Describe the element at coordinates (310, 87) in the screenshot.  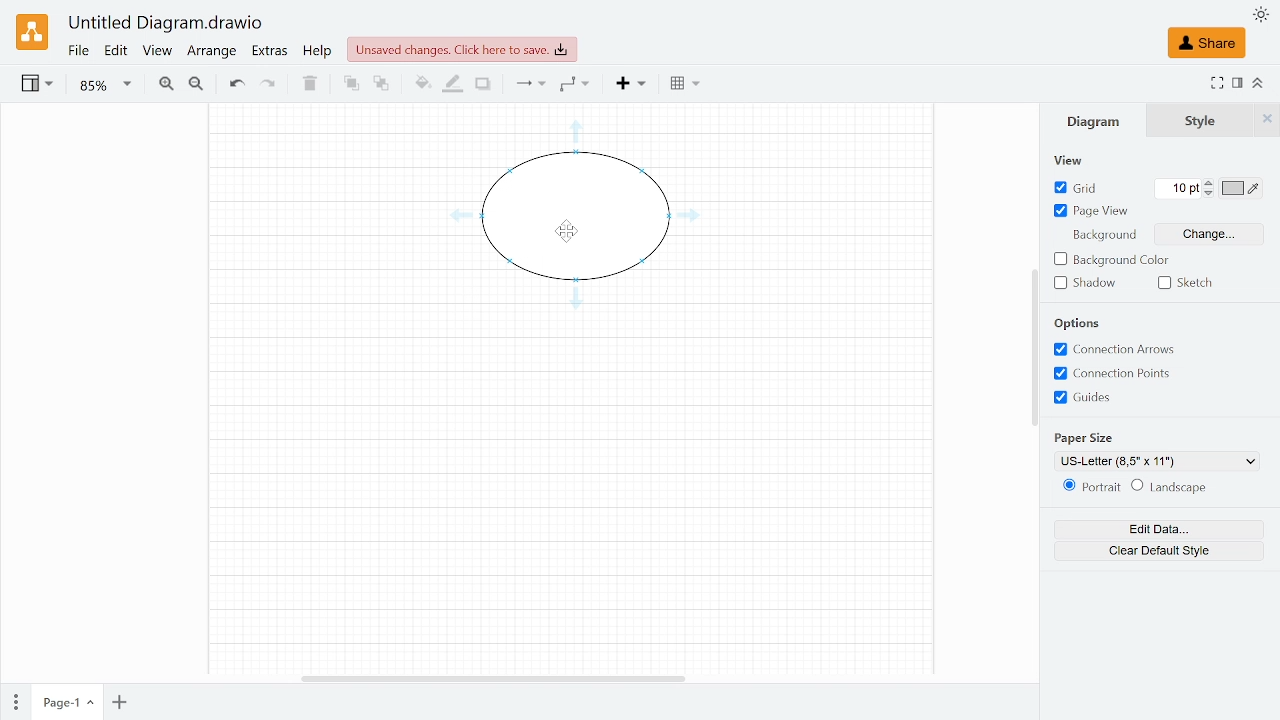
I see `Delete` at that location.